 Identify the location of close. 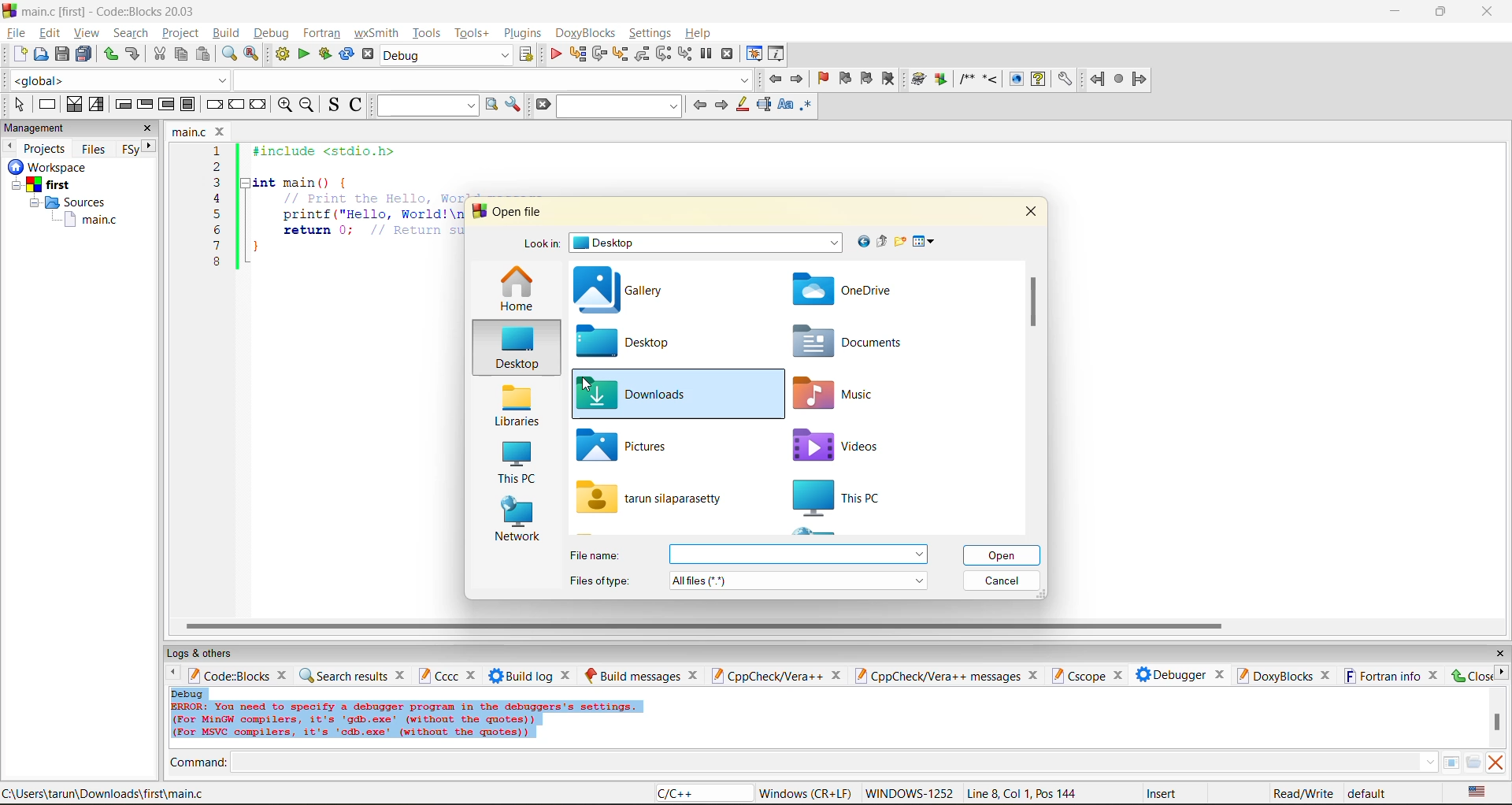
(1470, 675).